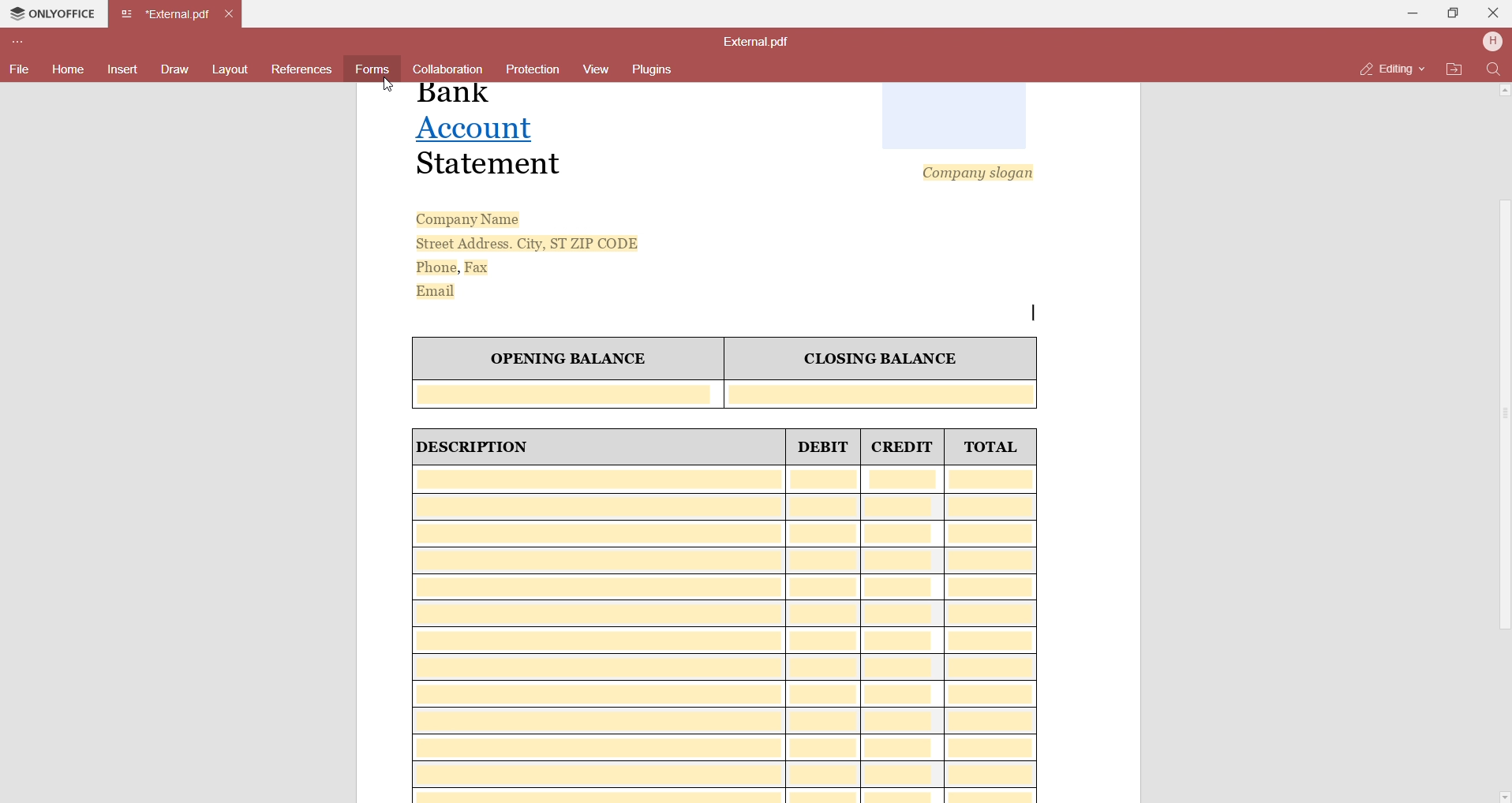 The height and width of the screenshot is (803, 1512). What do you see at coordinates (68, 70) in the screenshot?
I see `Home` at bounding box center [68, 70].